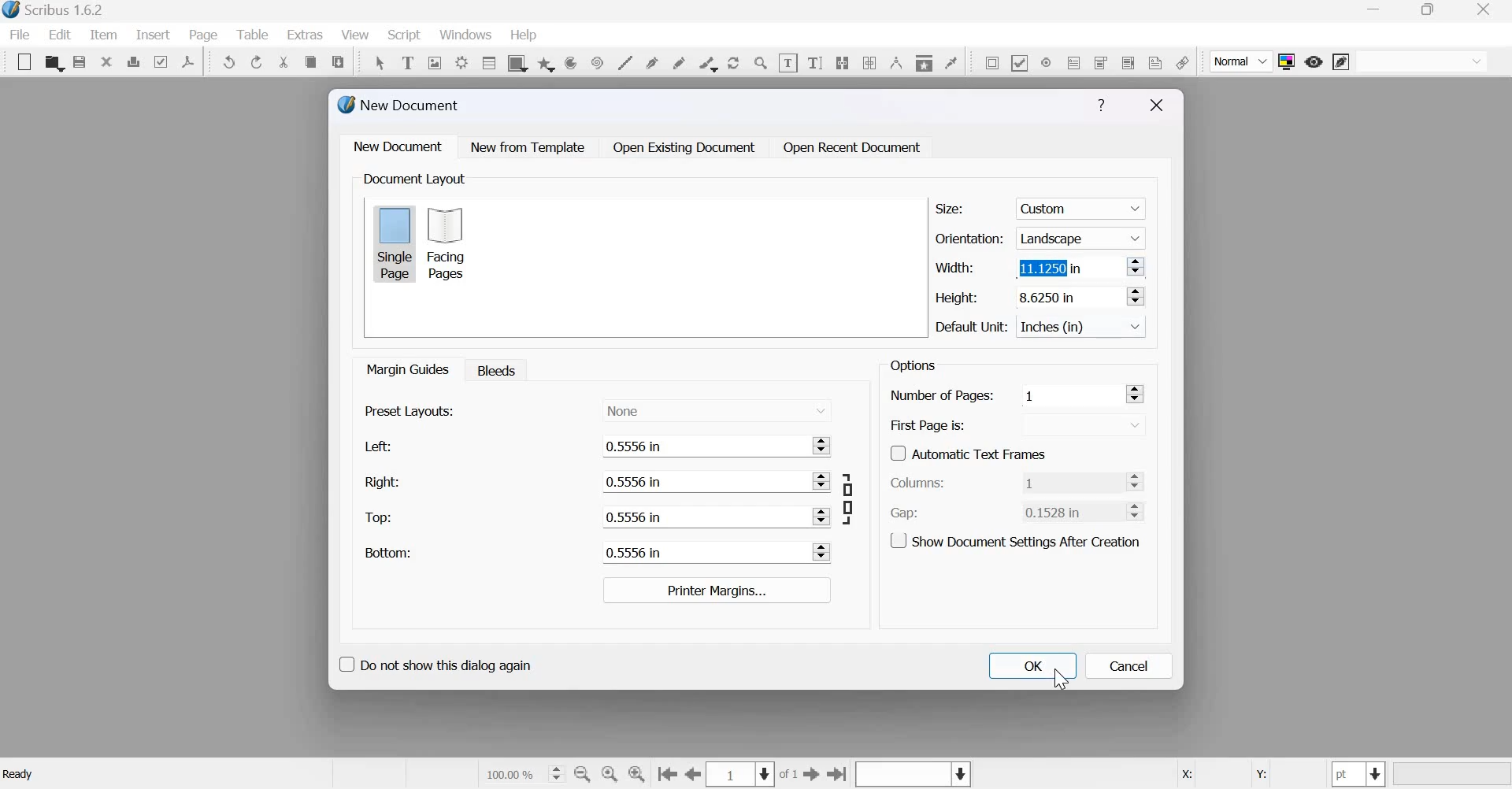 This screenshot has height=789, width=1512. I want to click on Width: , so click(954, 267).